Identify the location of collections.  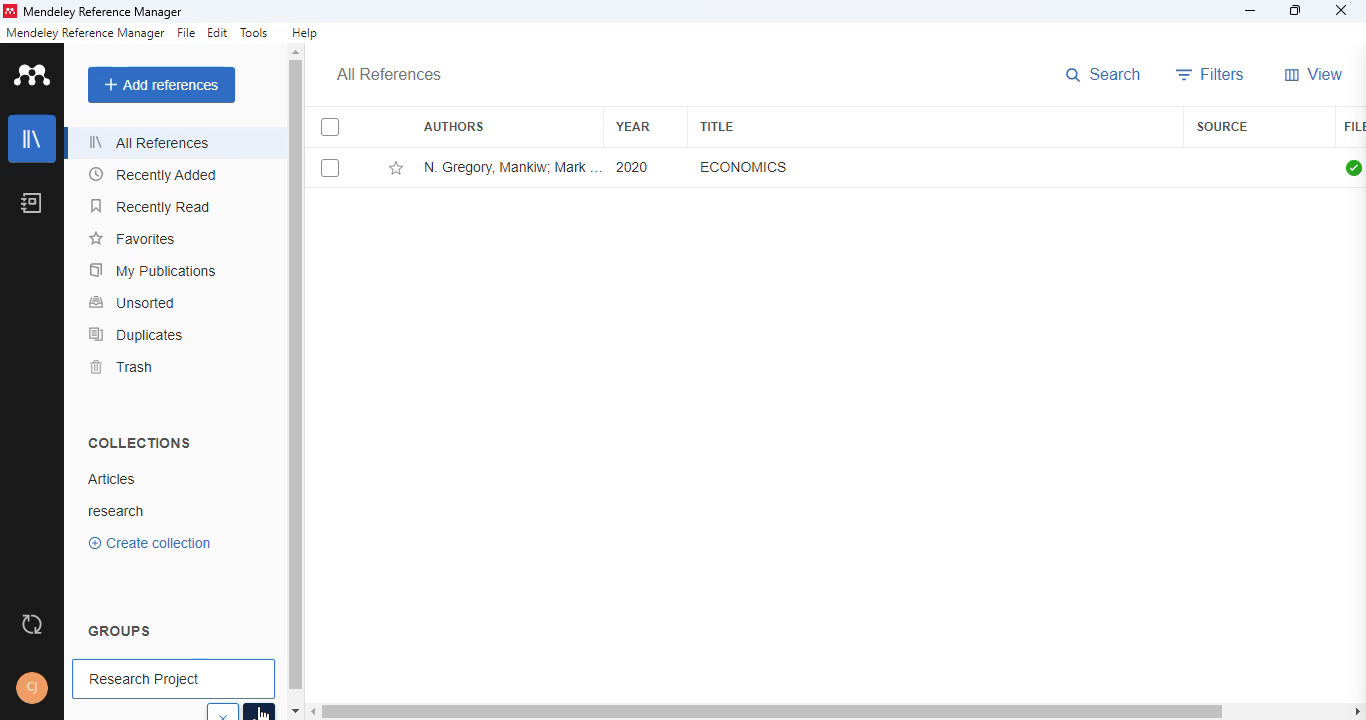
(141, 443).